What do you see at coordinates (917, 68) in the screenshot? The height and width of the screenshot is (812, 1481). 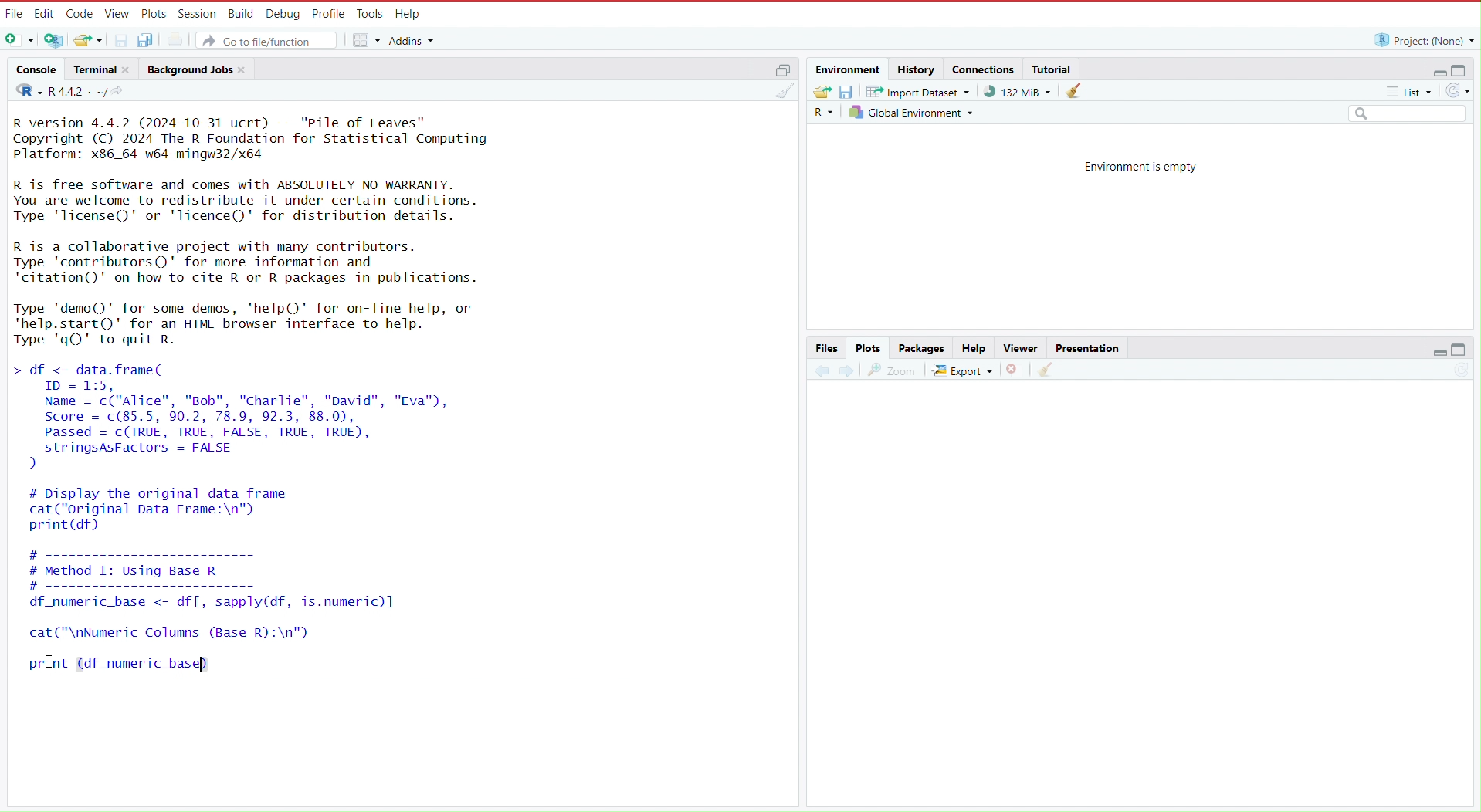 I see `history` at bounding box center [917, 68].